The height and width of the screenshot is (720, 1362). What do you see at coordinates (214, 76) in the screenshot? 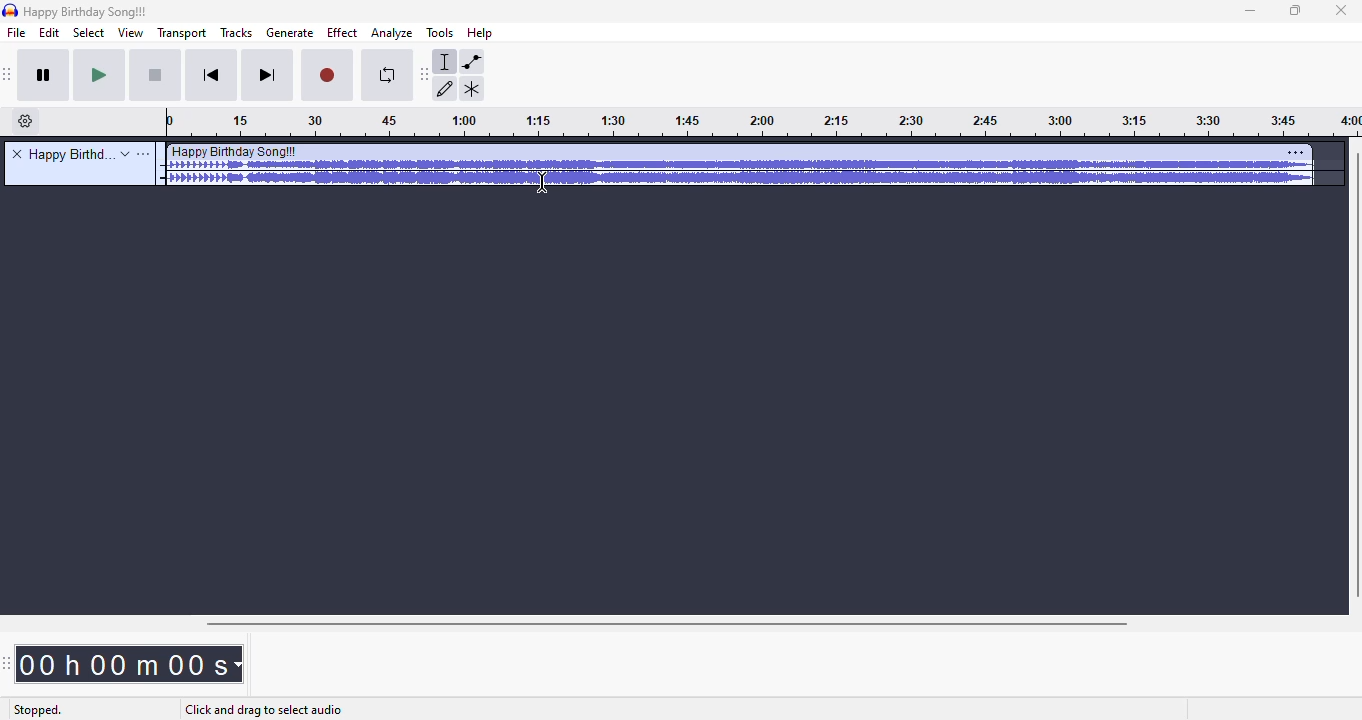
I see `skip to start` at bounding box center [214, 76].